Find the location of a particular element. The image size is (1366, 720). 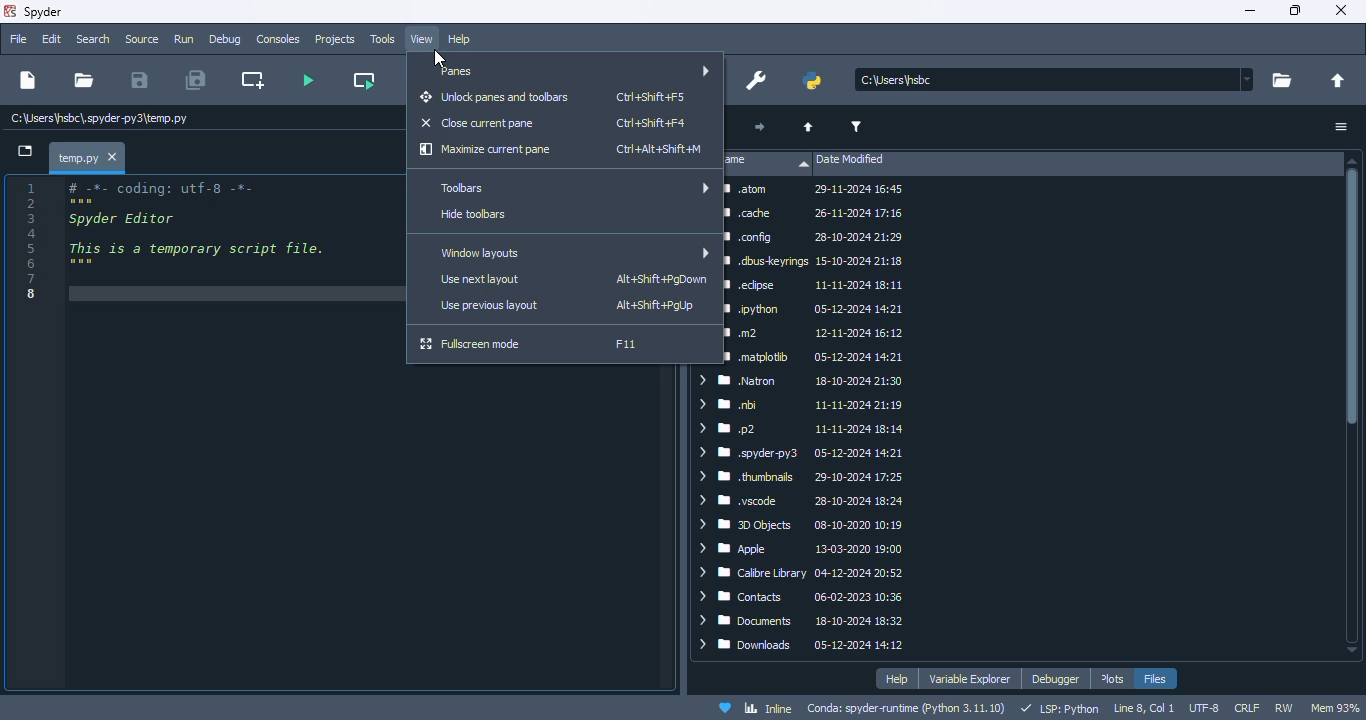

options is located at coordinates (1342, 127).